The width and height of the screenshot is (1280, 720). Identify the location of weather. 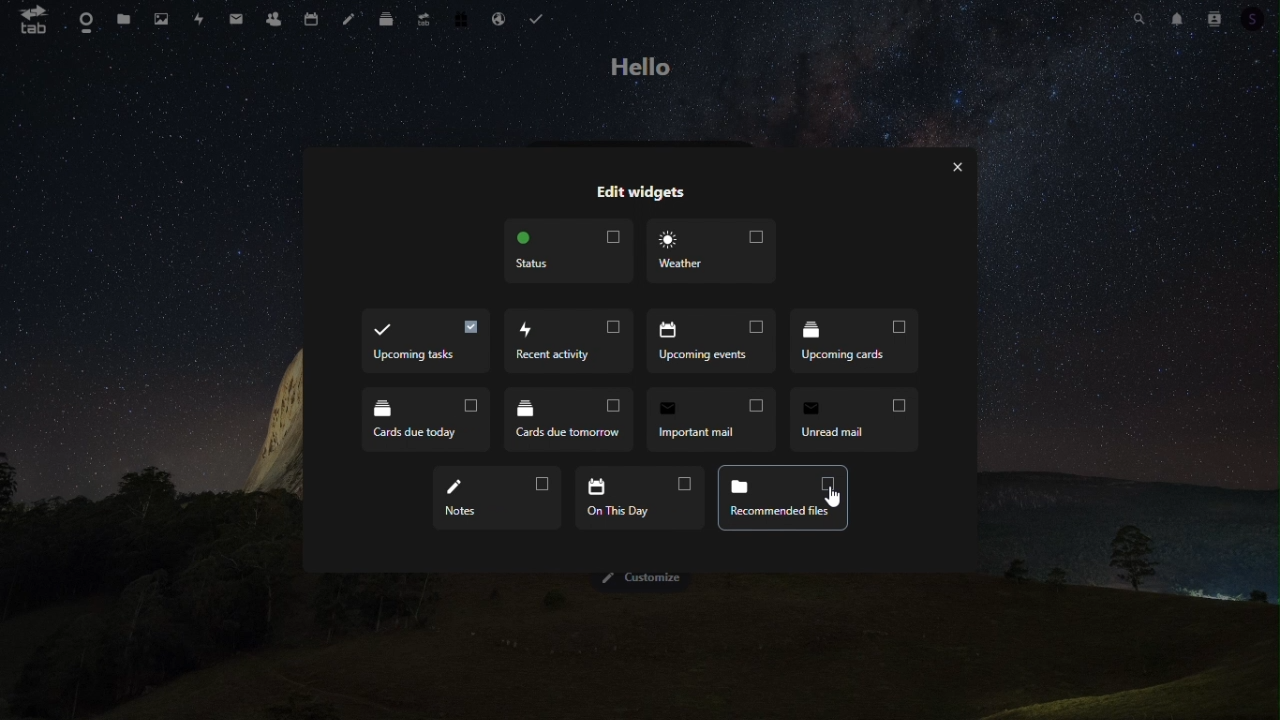
(711, 251).